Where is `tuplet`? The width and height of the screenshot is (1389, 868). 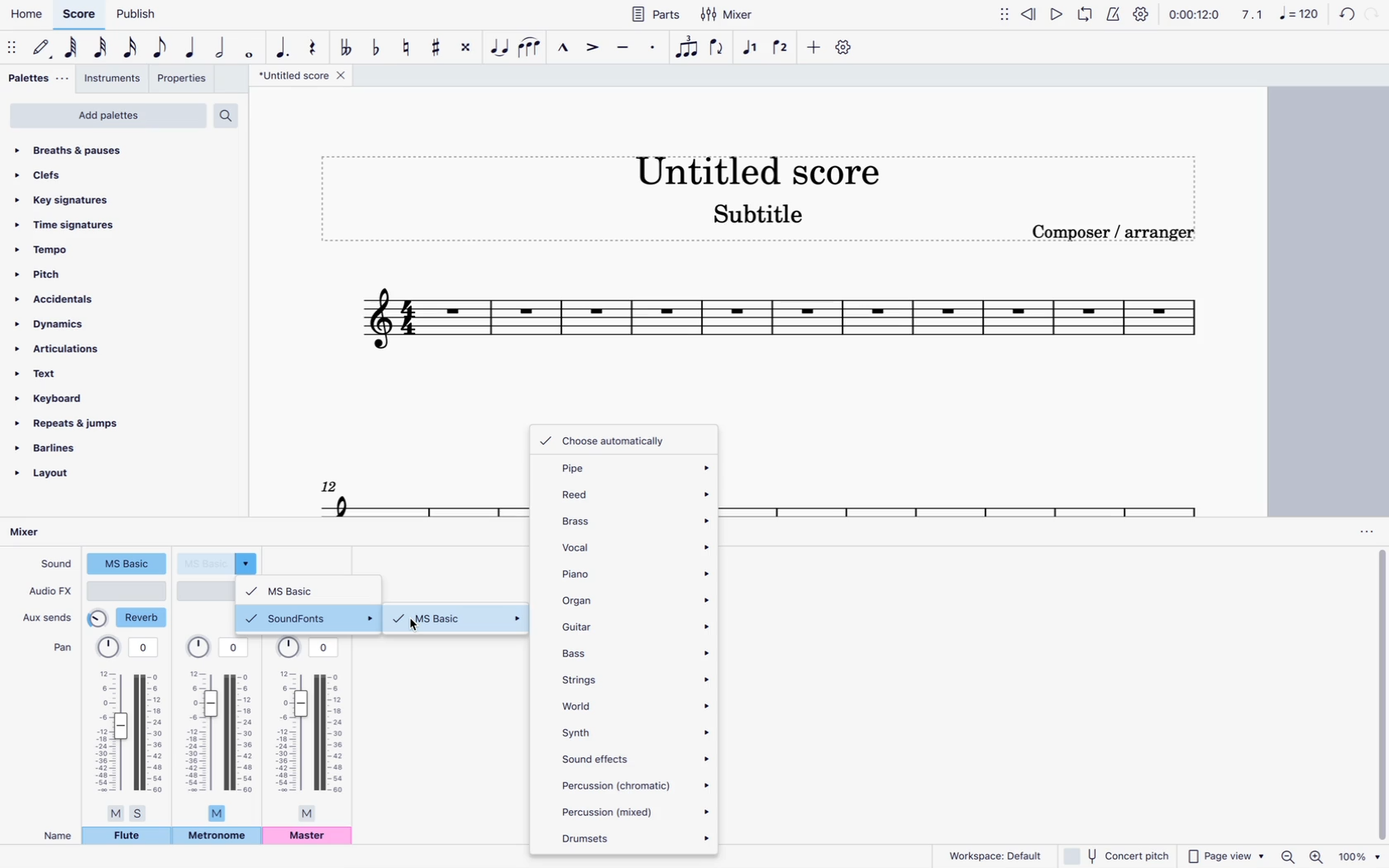 tuplet is located at coordinates (686, 48).